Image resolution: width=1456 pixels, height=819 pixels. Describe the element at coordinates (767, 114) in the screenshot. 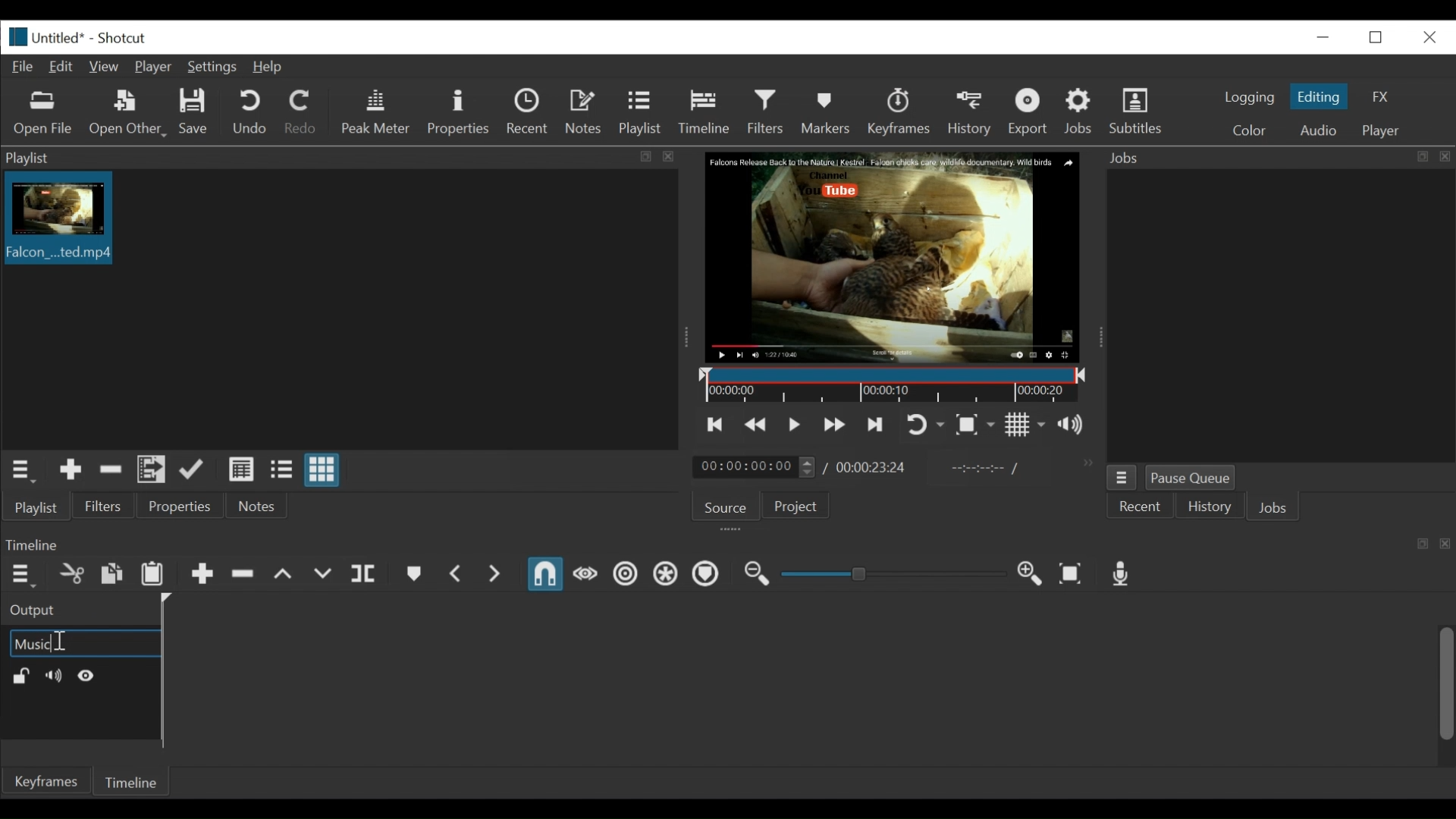

I see `Filters` at that location.